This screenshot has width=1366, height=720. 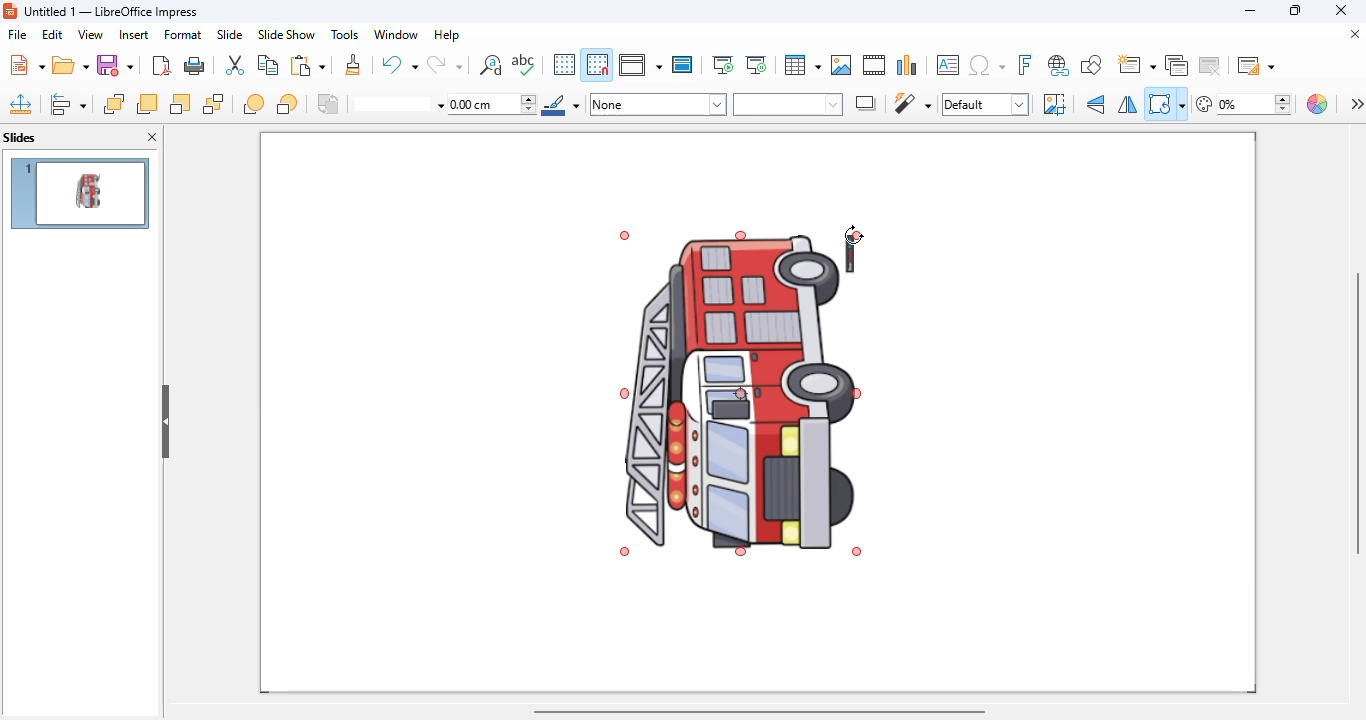 What do you see at coordinates (1354, 33) in the screenshot?
I see `close document` at bounding box center [1354, 33].